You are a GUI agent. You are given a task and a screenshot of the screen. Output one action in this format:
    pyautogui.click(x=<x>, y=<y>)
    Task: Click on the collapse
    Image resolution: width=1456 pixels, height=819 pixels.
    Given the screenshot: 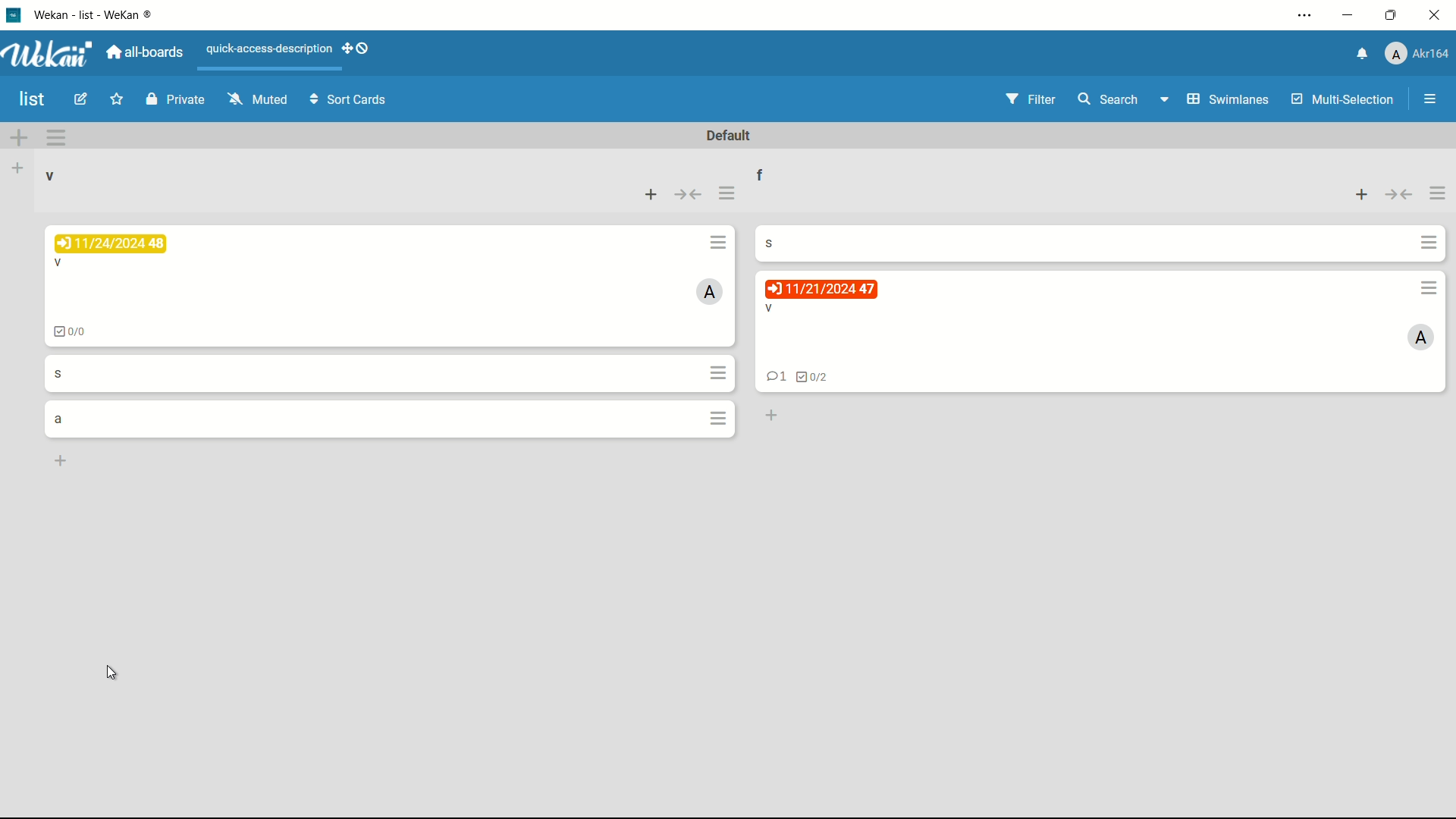 What is the action you would take?
    pyautogui.click(x=689, y=194)
    